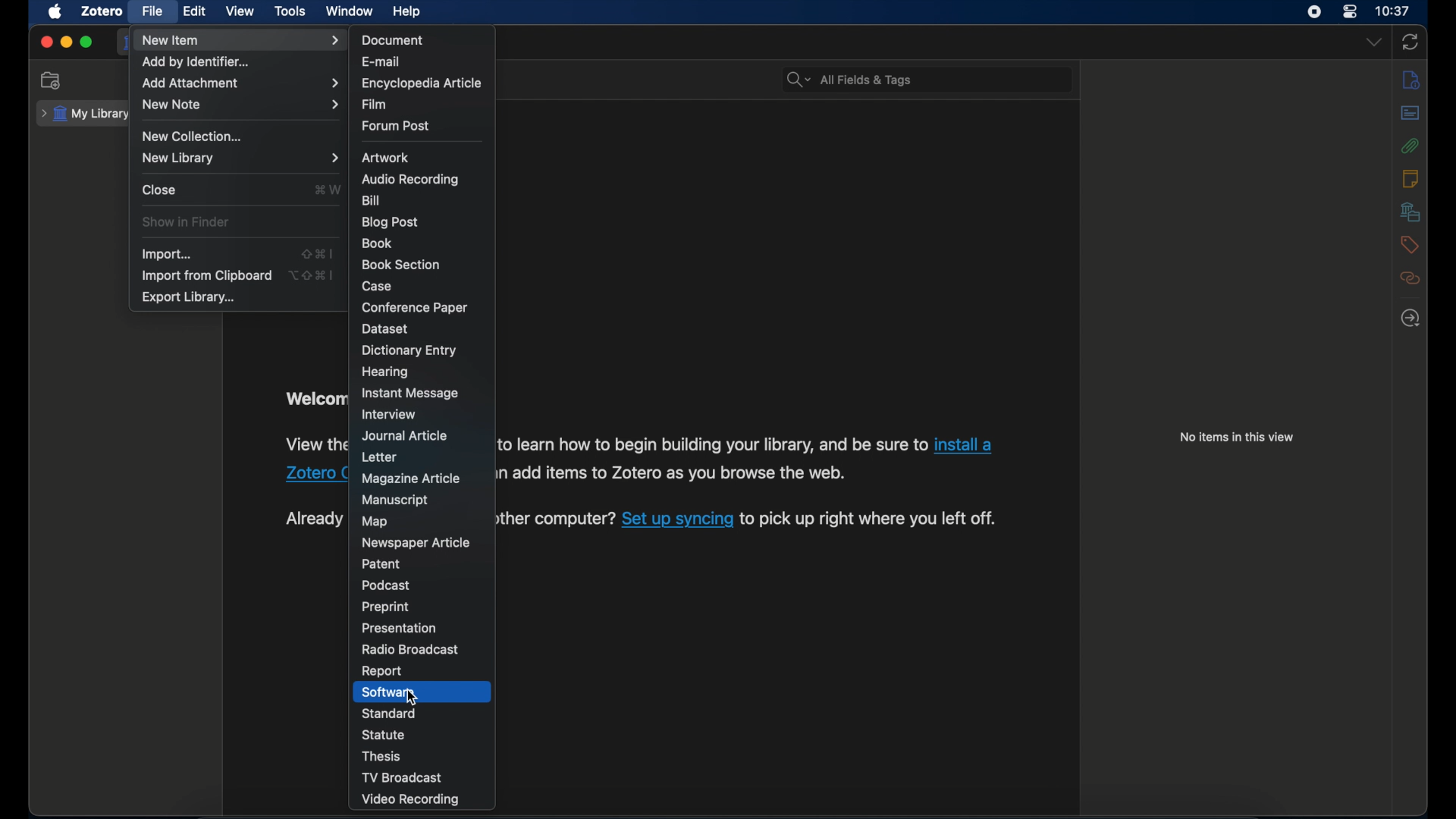 The height and width of the screenshot is (819, 1456). I want to click on cursor on software, so click(413, 701).